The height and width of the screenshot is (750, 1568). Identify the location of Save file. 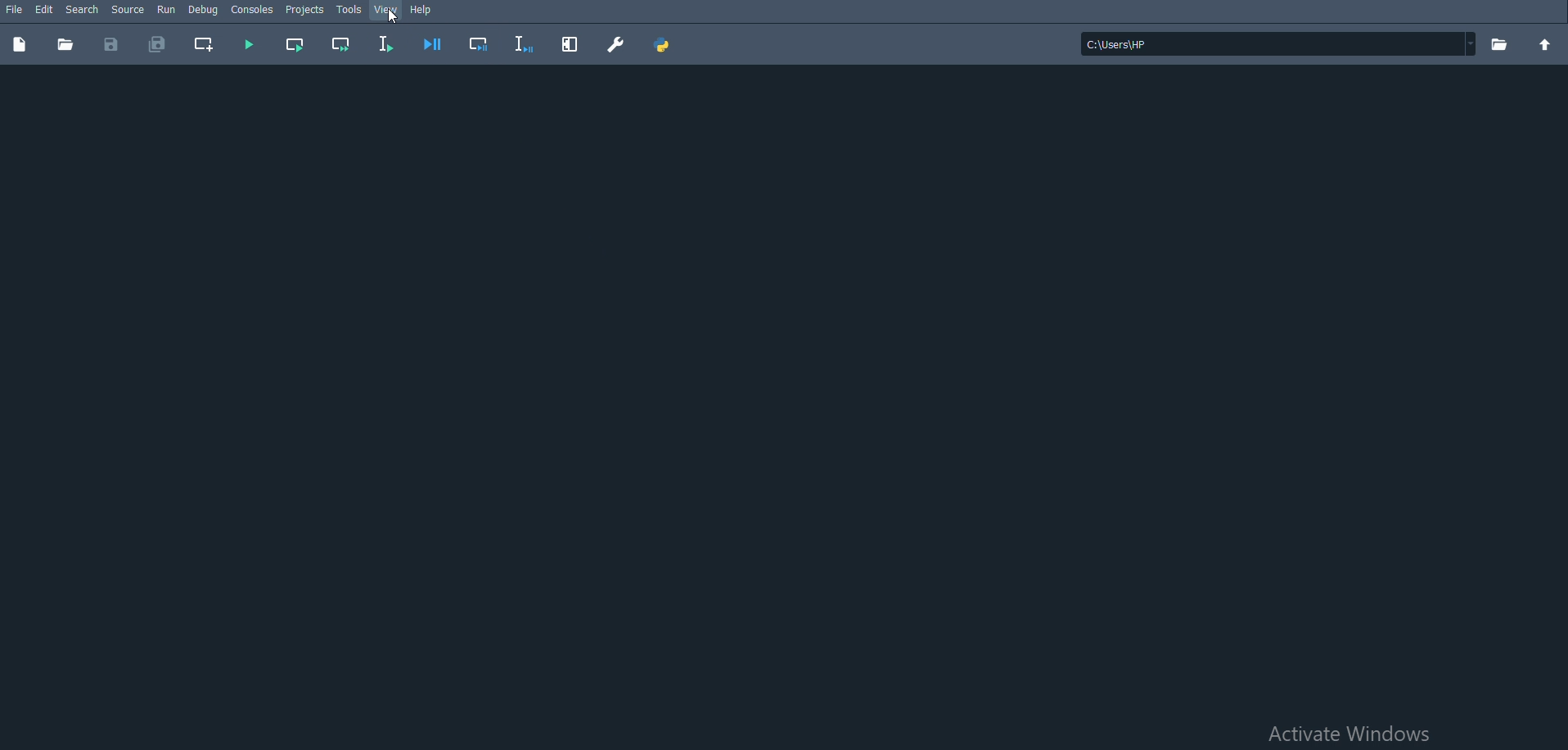
(110, 43).